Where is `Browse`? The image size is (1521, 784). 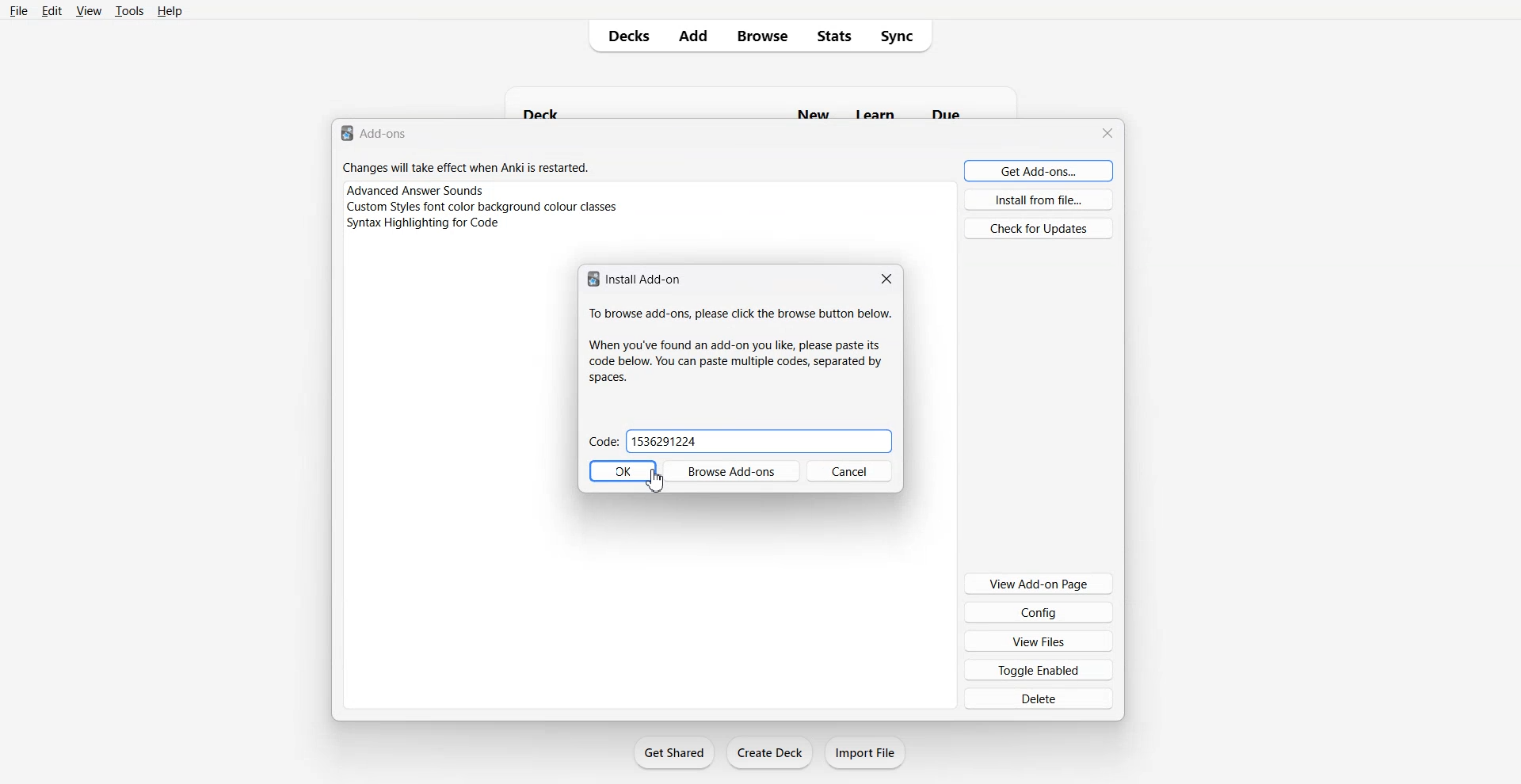
Browse is located at coordinates (763, 36).